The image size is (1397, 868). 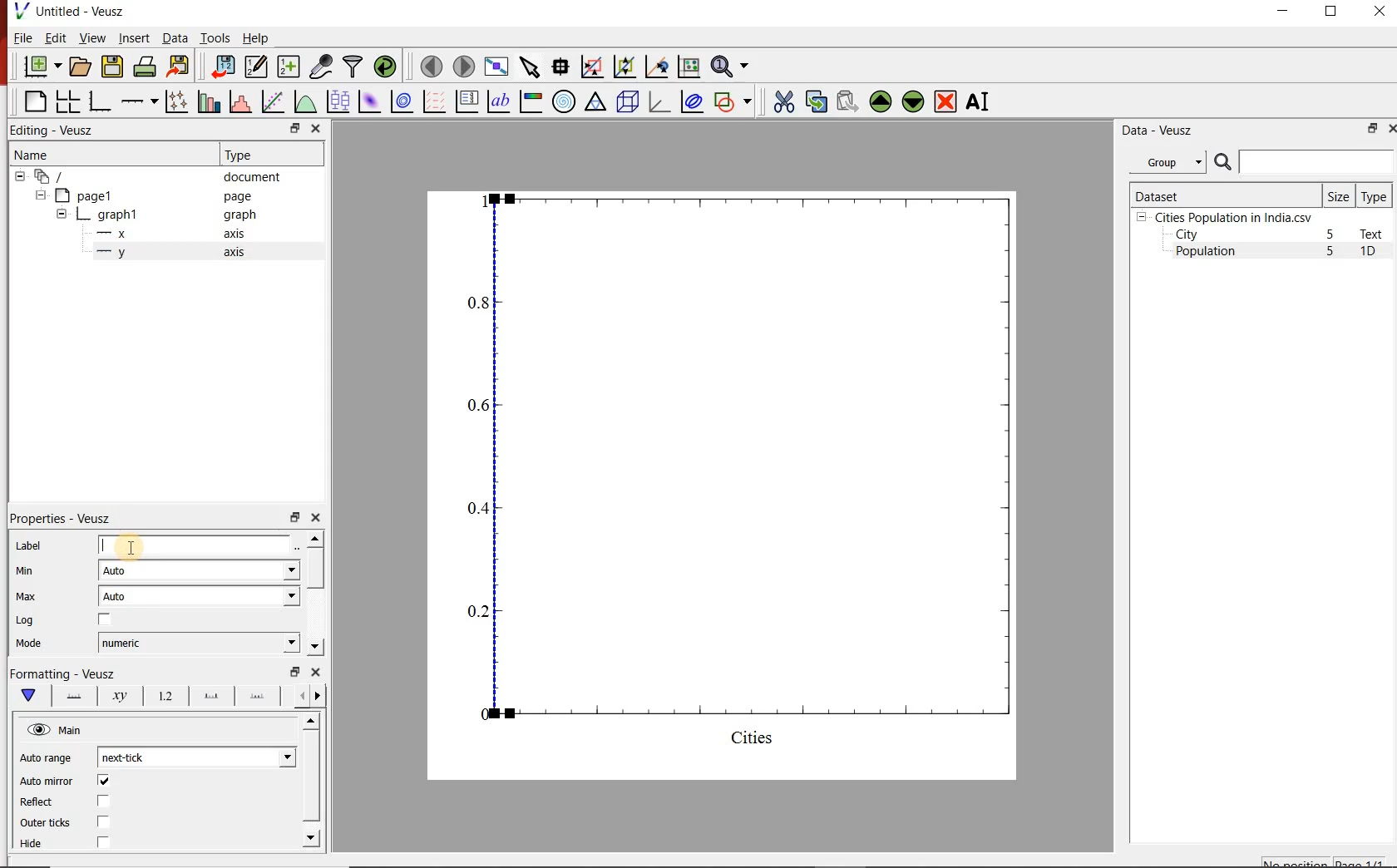 I want to click on close, so click(x=1390, y=128).